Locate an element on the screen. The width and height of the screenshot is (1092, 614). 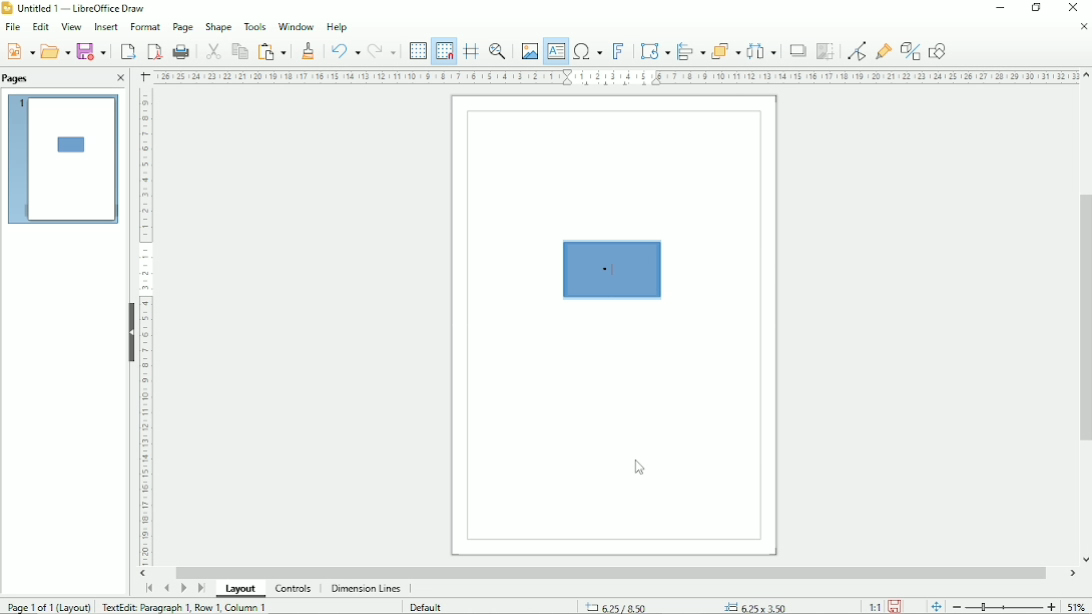
Open is located at coordinates (54, 51).